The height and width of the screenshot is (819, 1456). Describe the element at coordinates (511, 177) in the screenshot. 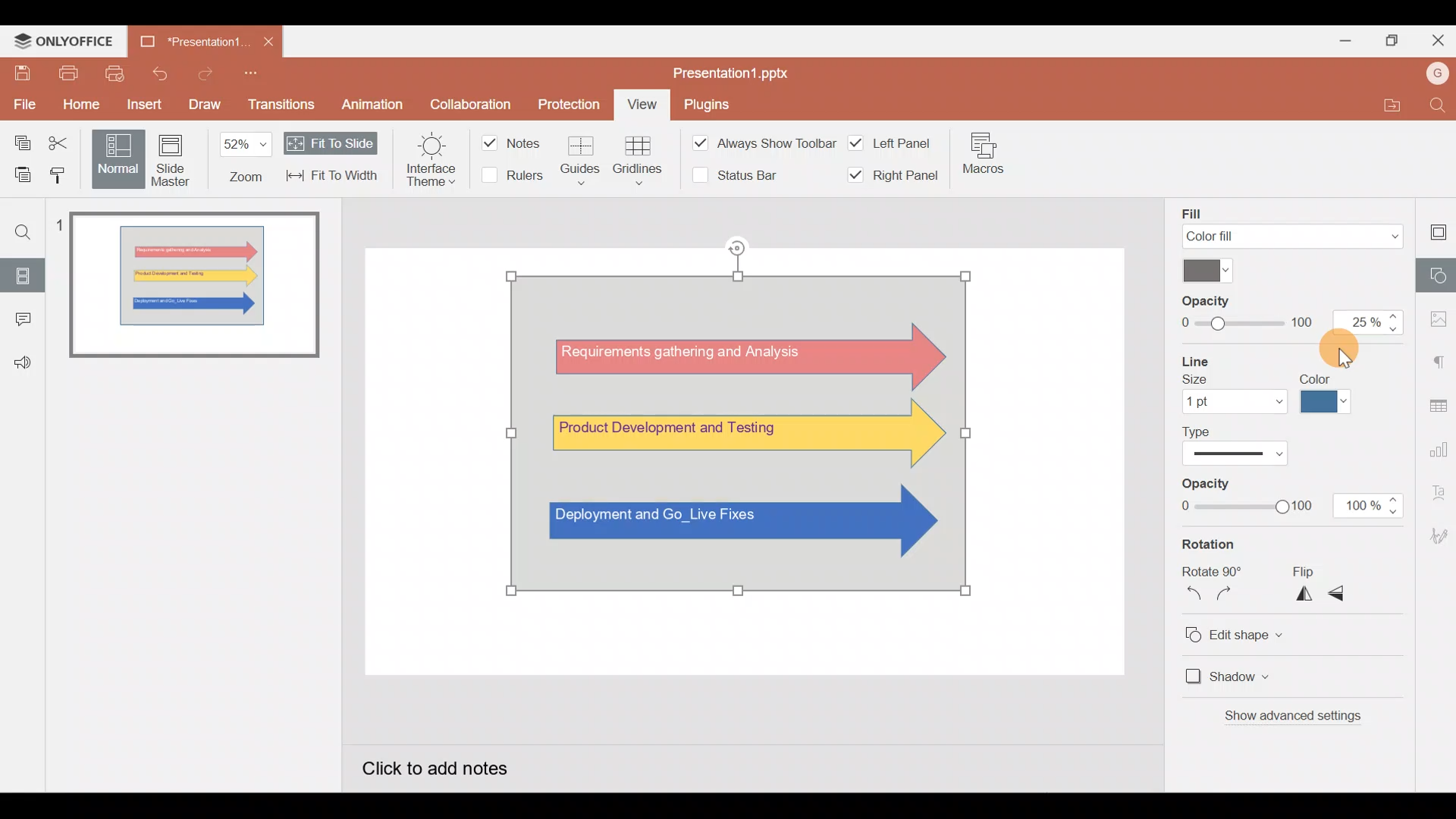

I see `Rulers` at that location.